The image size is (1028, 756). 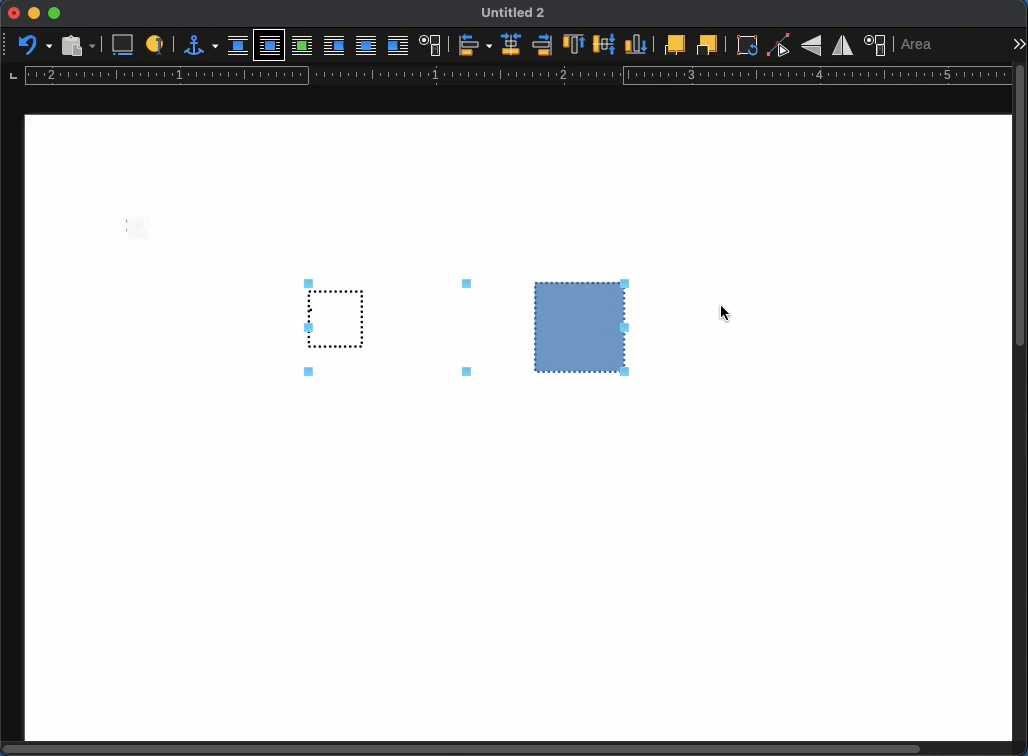 What do you see at coordinates (513, 44) in the screenshot?
I see `centered` at bounding box center [513, 44].